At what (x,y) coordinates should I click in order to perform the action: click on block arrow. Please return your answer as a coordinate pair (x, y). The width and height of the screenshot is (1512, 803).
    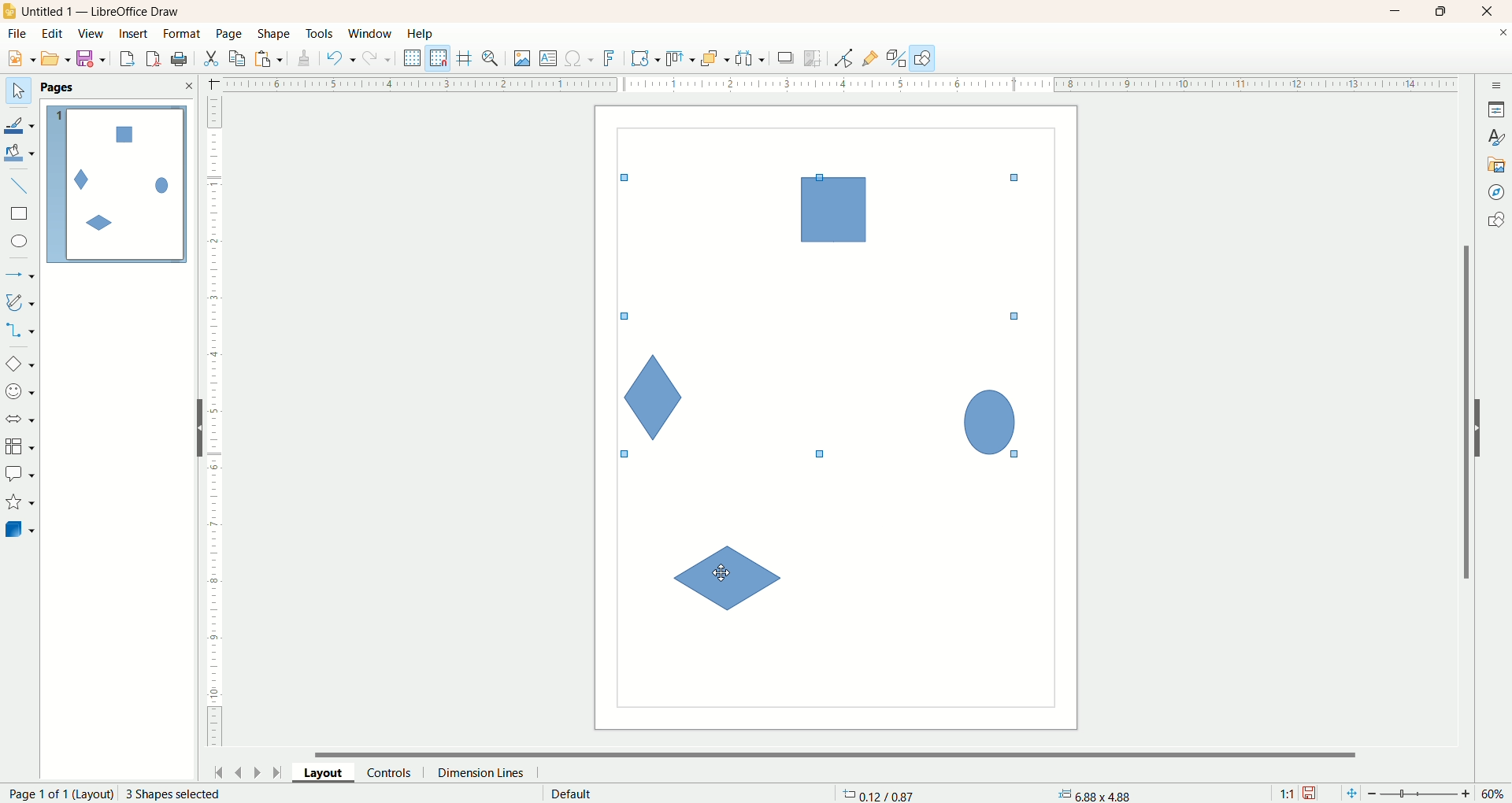
    Looking at the image, I should click on (23, 420).